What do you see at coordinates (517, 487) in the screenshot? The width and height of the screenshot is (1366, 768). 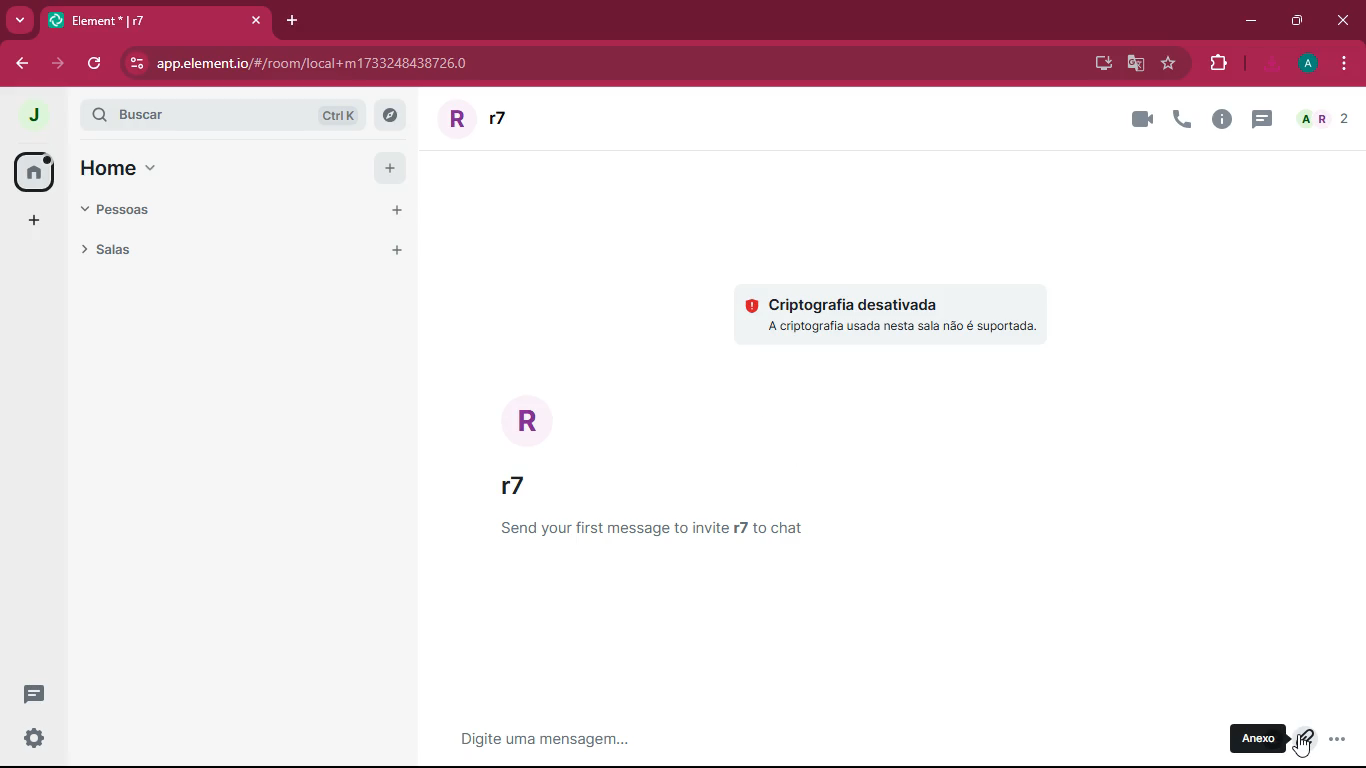 I see `r7` at bounding box center [517, 487].